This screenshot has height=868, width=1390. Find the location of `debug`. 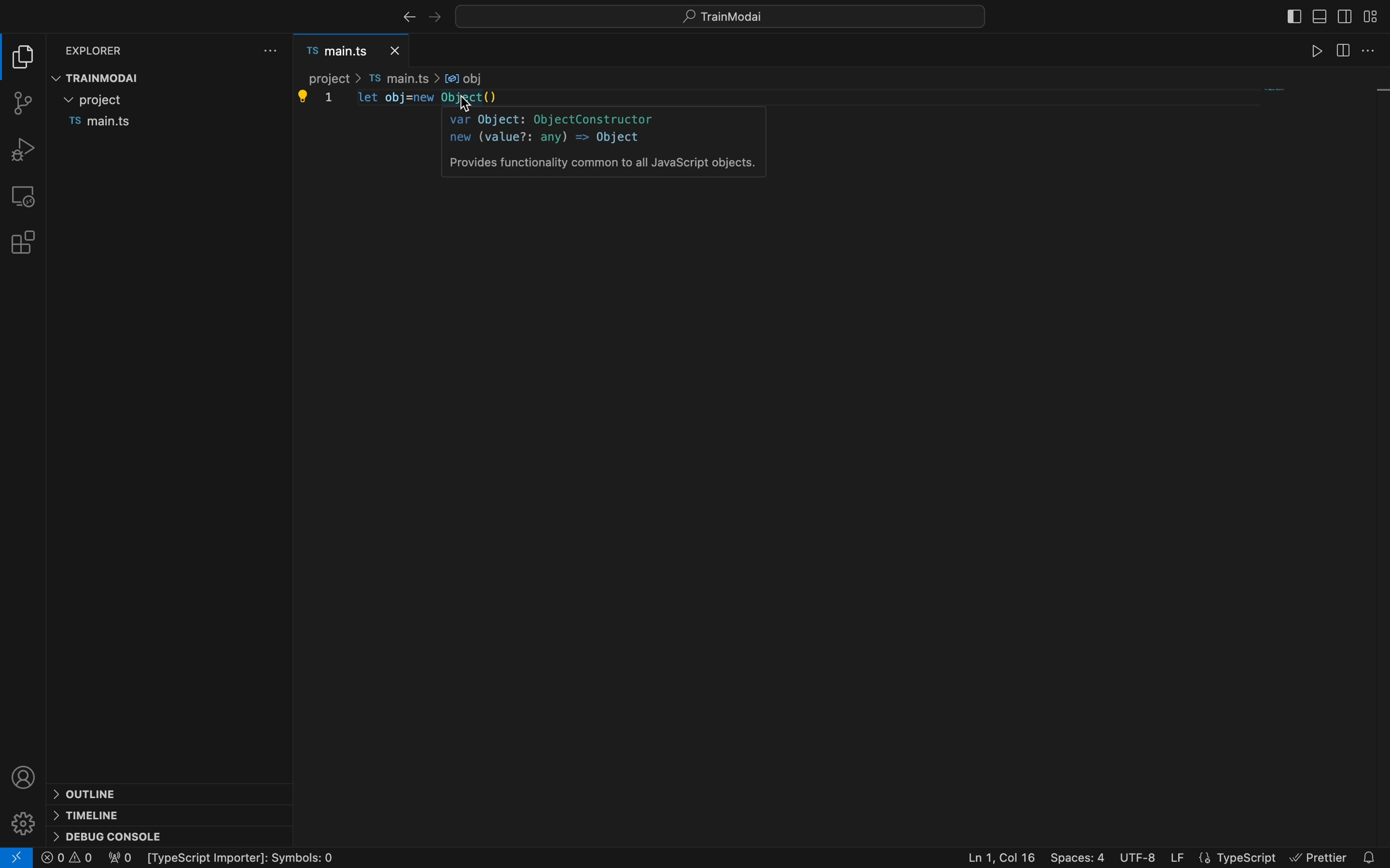

debug is located at coordinates (25, 149).